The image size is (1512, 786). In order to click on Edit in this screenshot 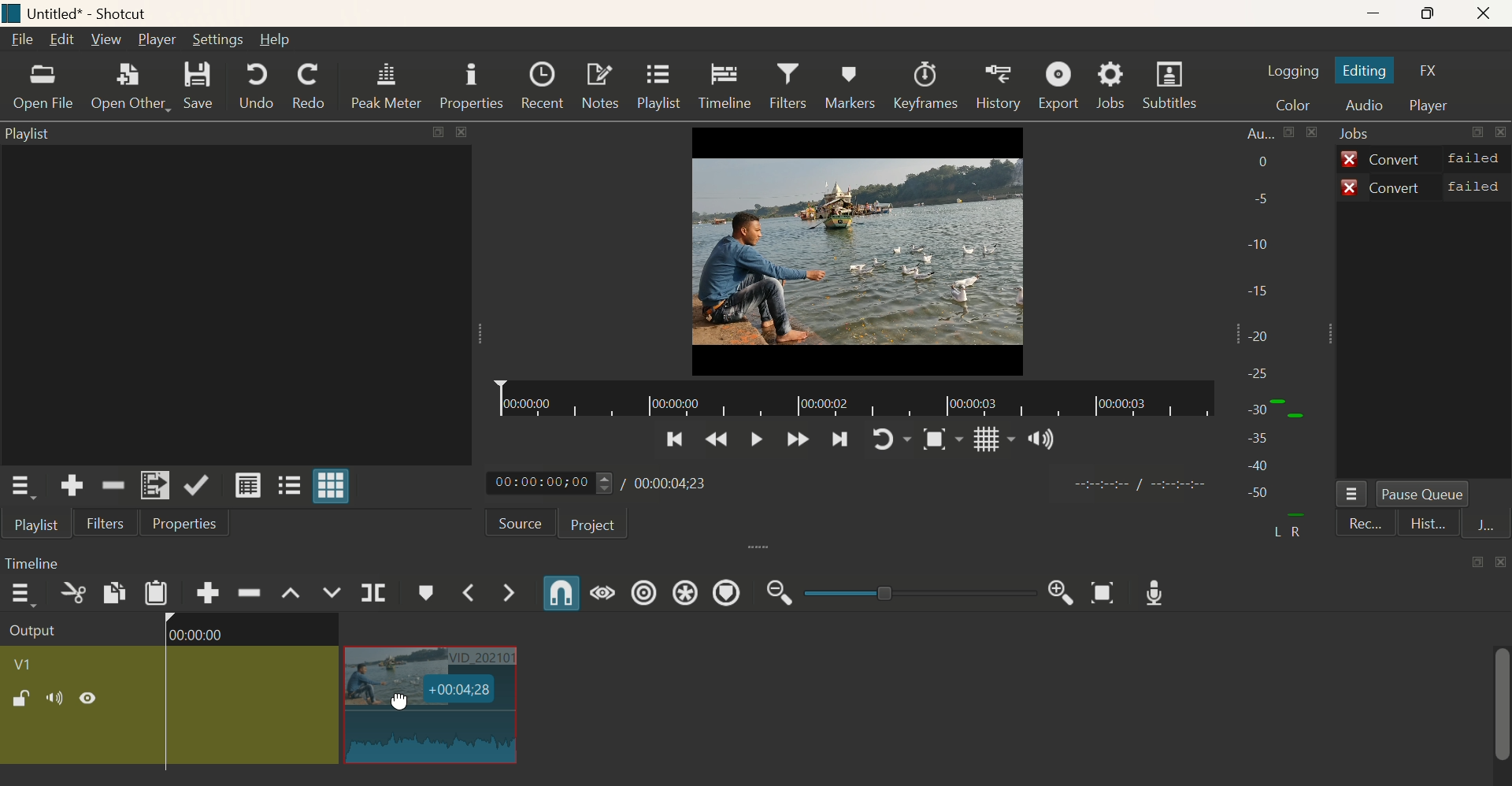, I will do `click(62, 43)`.